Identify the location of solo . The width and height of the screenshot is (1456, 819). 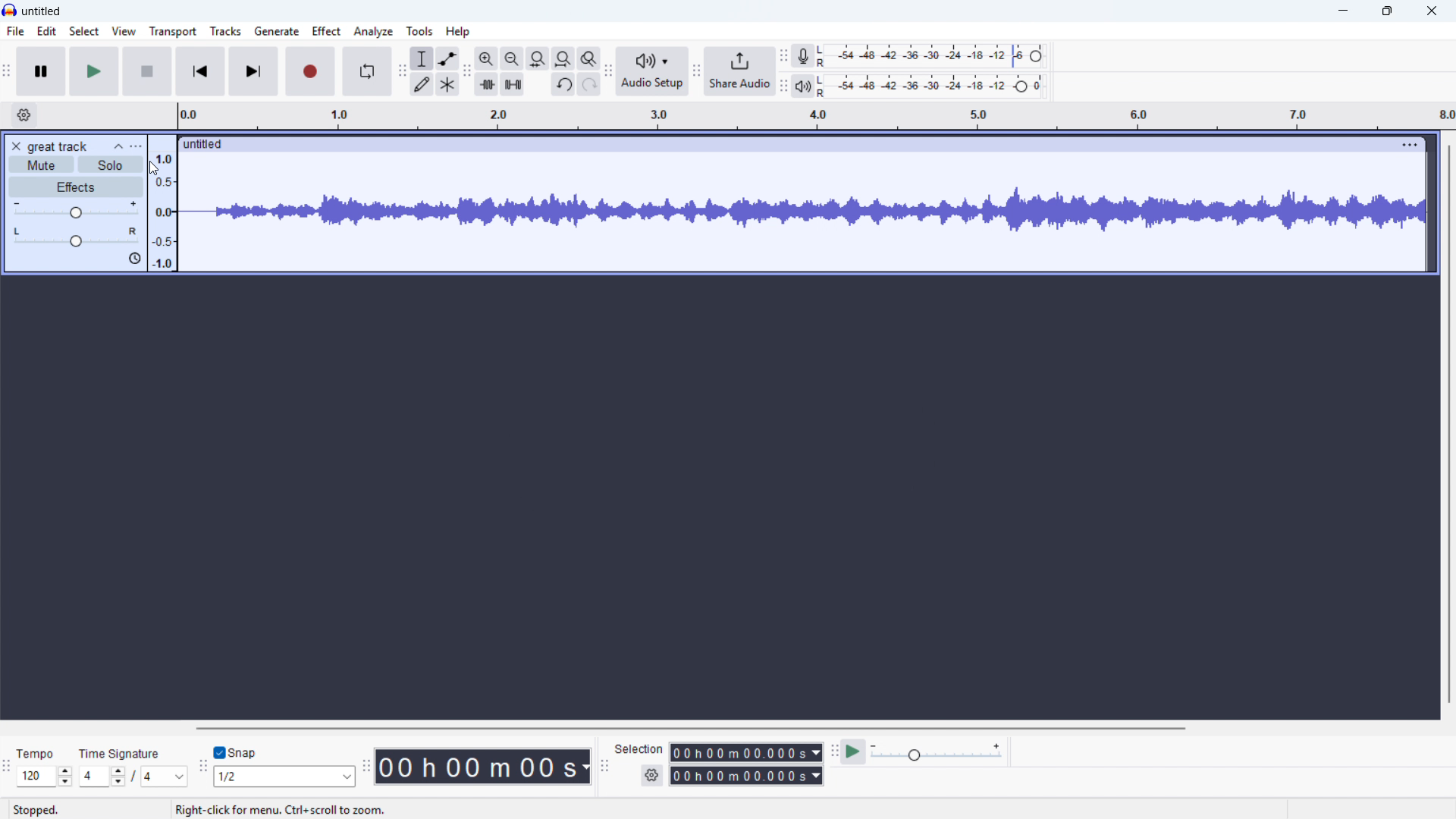
(111, 165).